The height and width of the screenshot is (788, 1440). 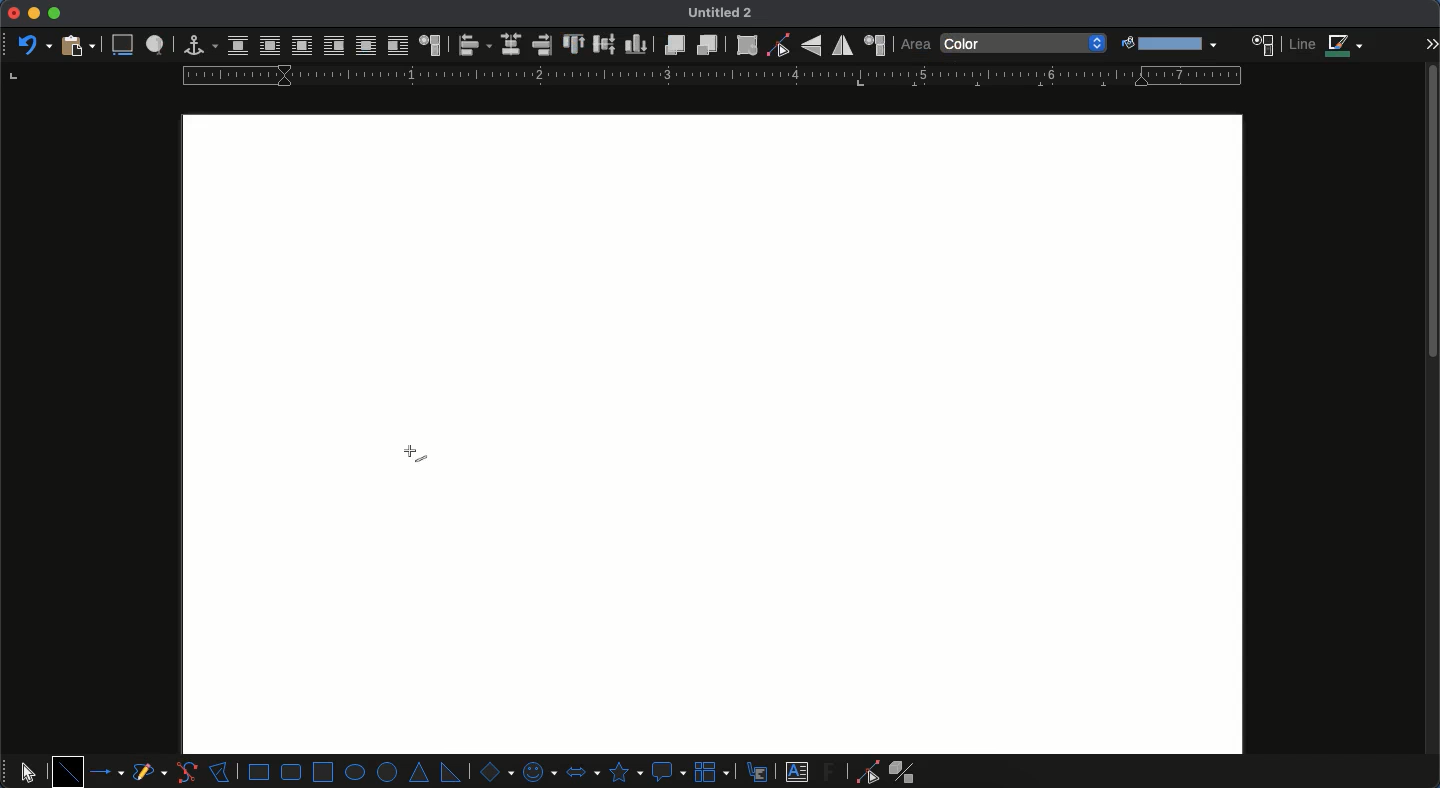 What do you see at coordinates (1167, 44) in the screenshot?
I see `fill color` at bounding box center [1167, 44].